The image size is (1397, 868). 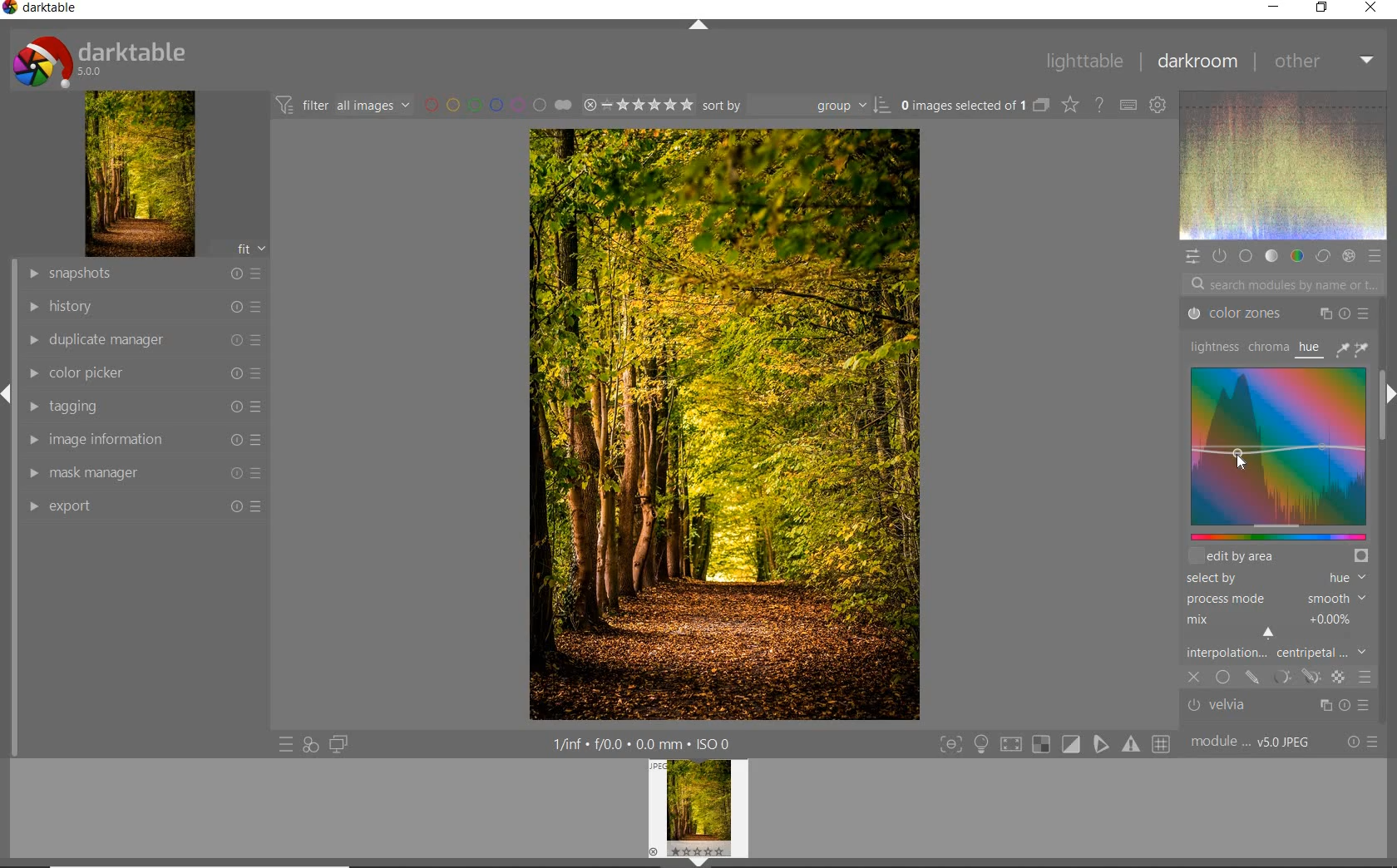 I want to click on MINIMIZE, so click(x=1275, y=7).